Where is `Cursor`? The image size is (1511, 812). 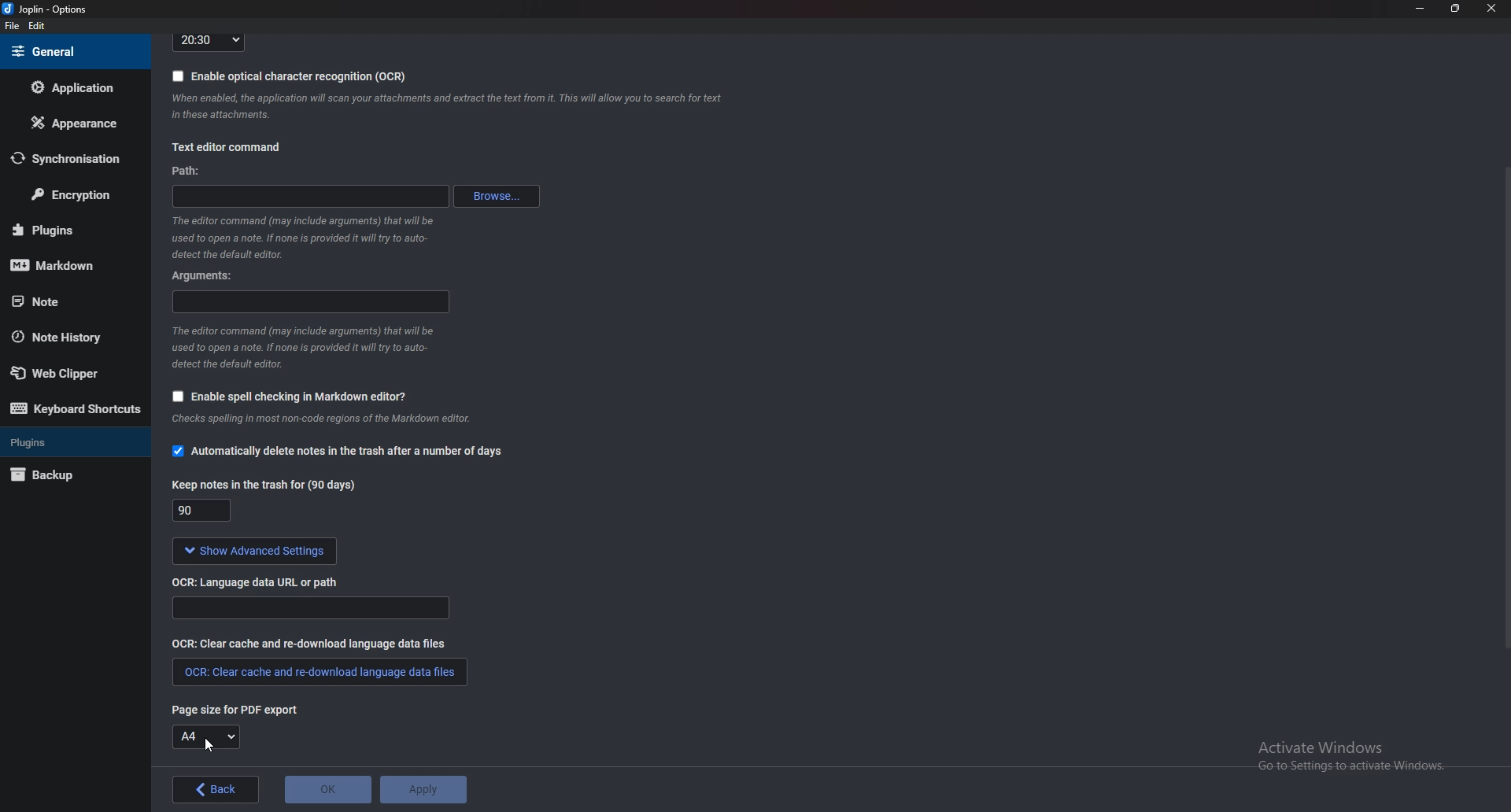 Cursor is located at coordinates (206, 746).